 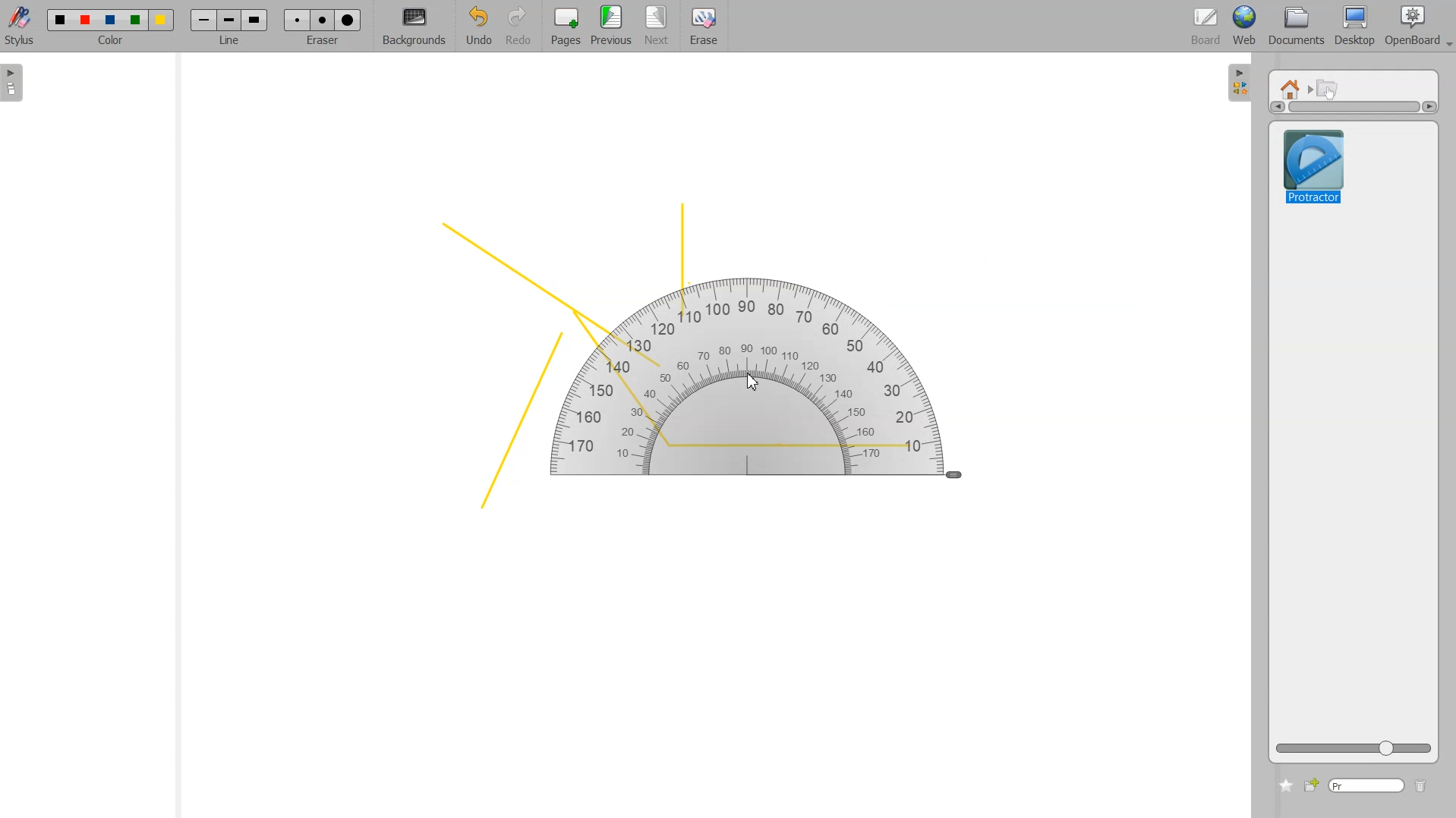 What do you see at coordinates (1285, 785) in the screenshot?
I see `Add to favorite` at bounding box center [1285, 785].